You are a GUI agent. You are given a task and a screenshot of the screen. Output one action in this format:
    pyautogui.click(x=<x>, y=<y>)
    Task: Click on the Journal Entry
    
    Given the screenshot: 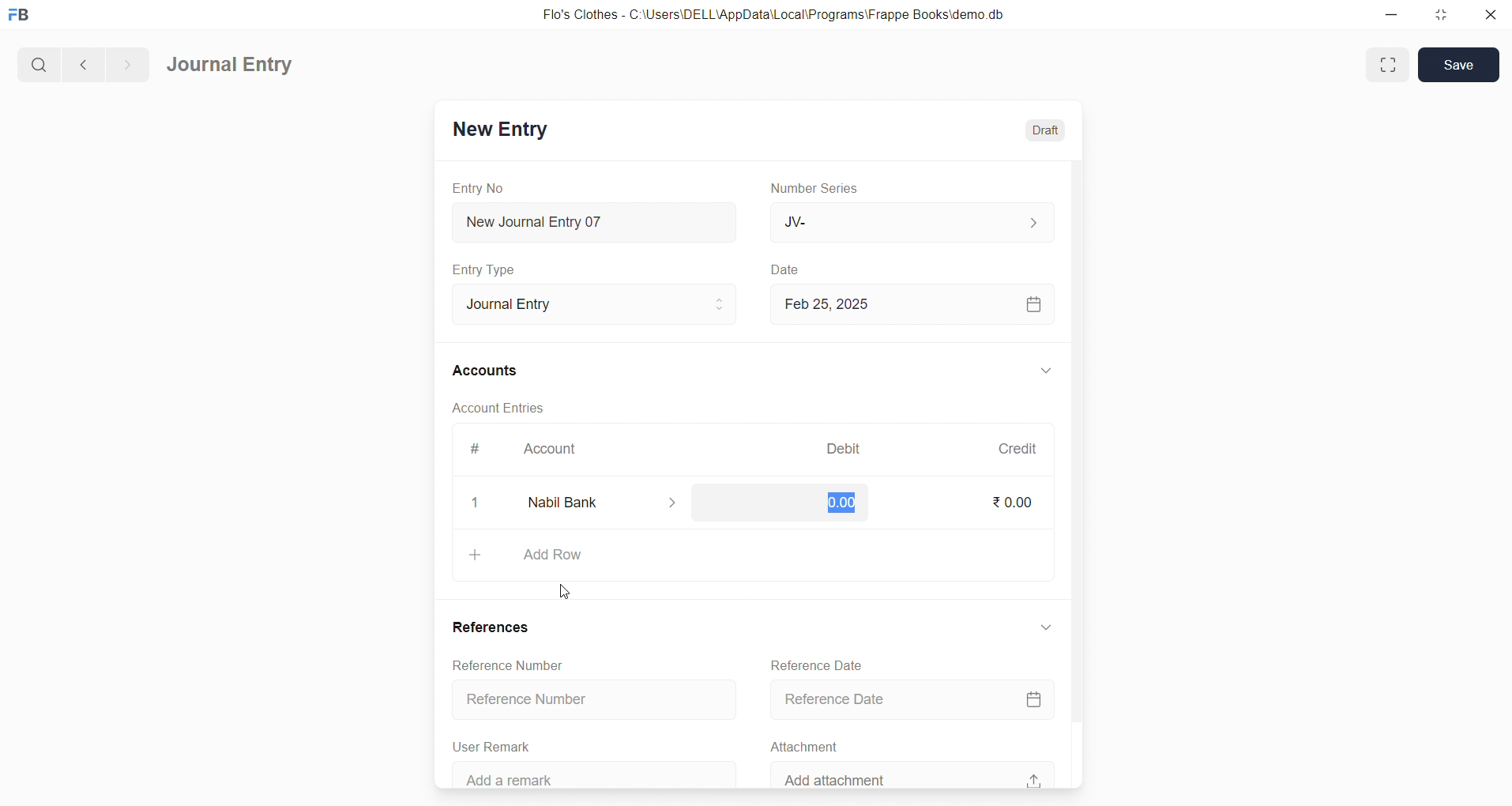 What is the action you would take?
    pyautogui.click(x=231, y=66)
    